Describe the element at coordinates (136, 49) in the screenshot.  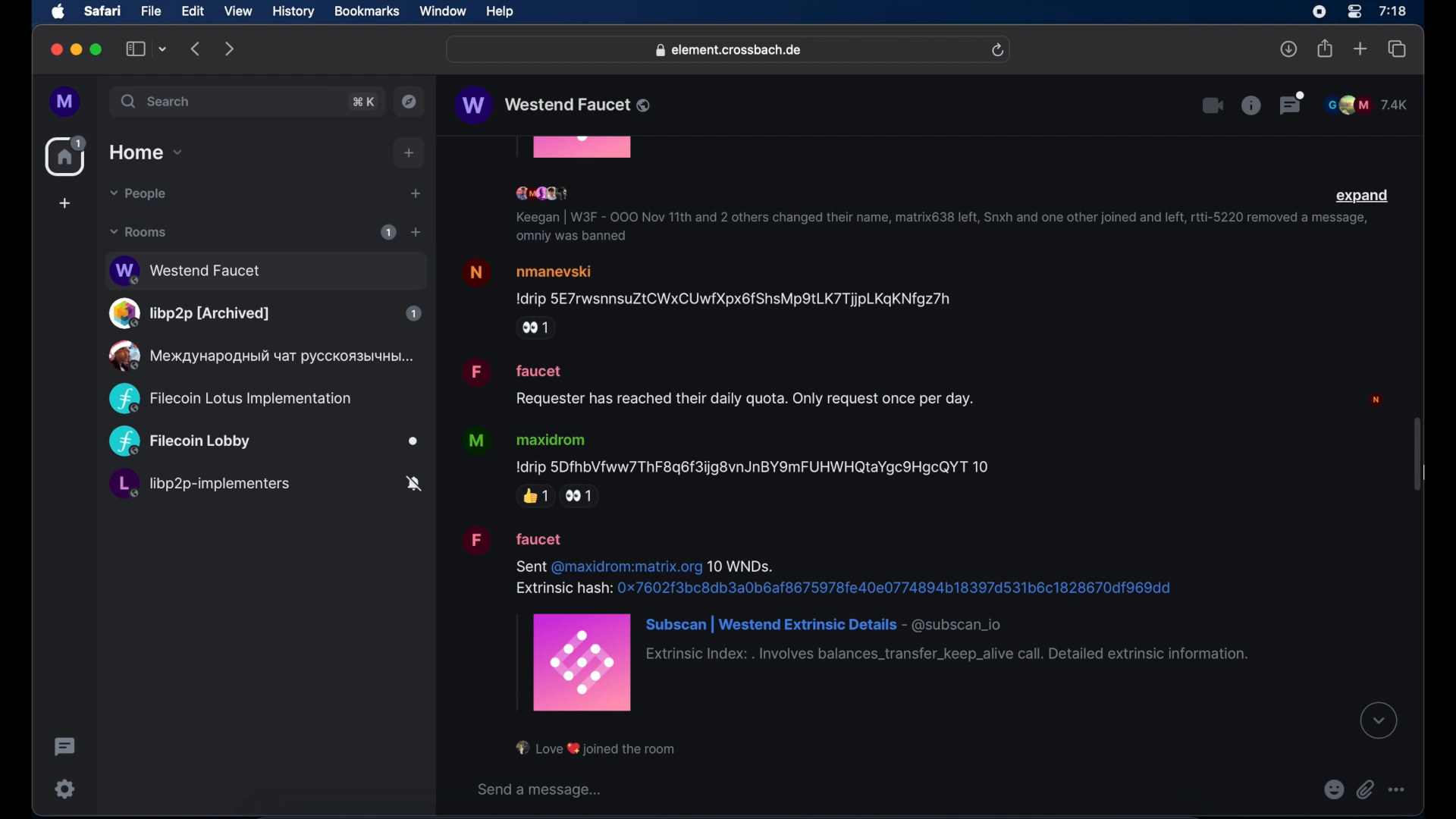
I see `show sidebar` at that location.